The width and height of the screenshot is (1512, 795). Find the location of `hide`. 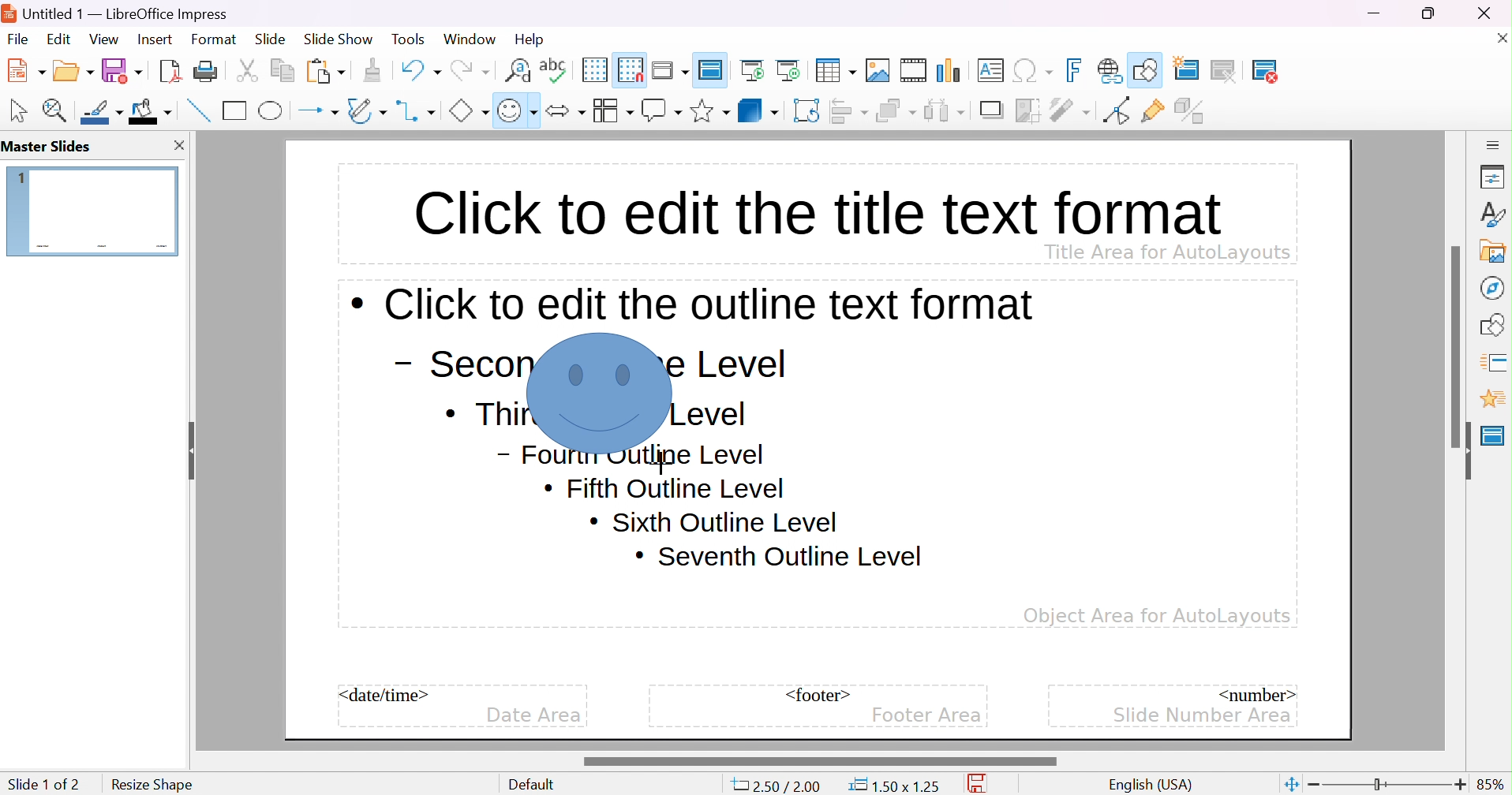

hide is located at coordinates (189, 446).